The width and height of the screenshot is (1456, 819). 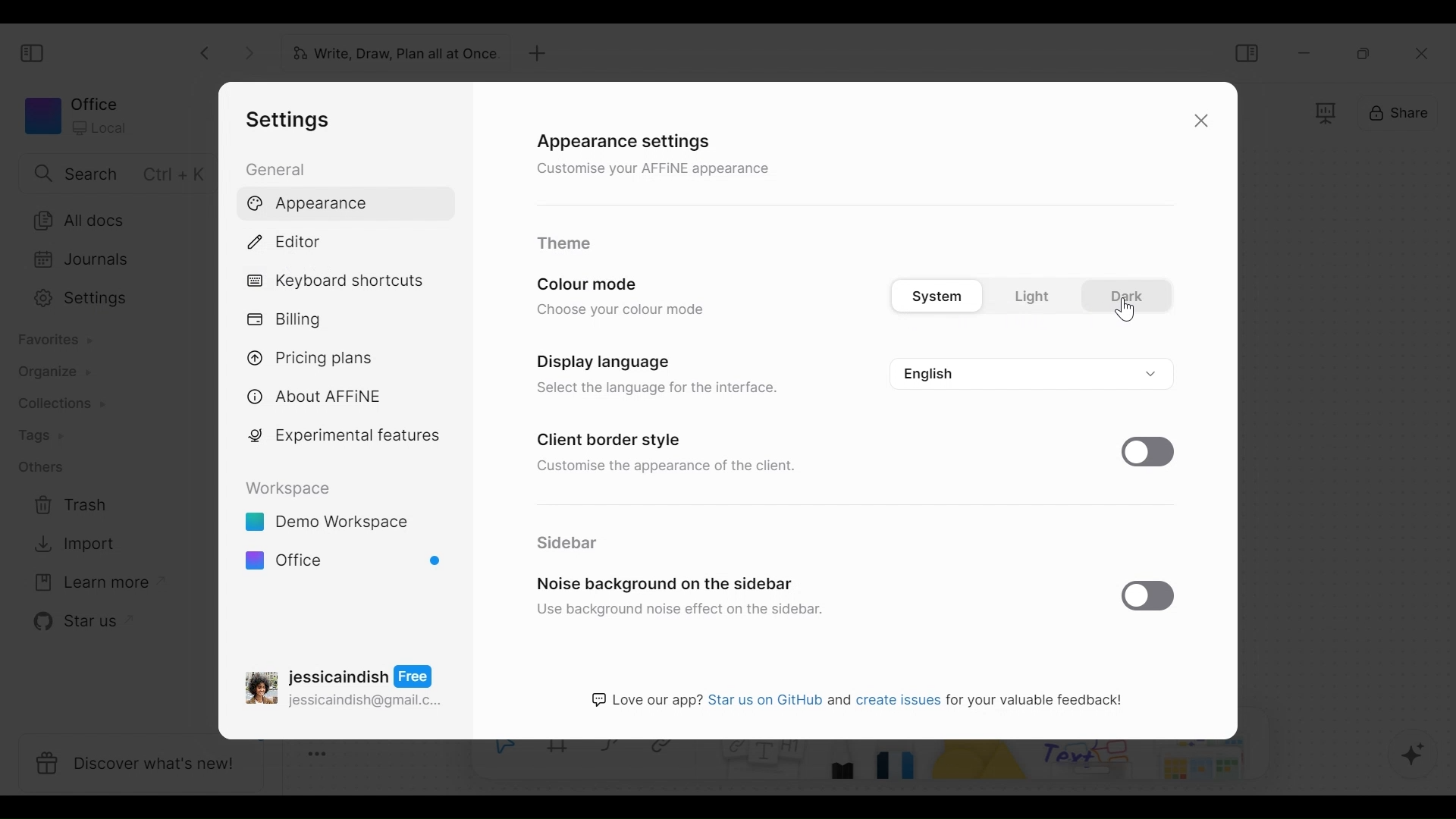 What do you see at coordinates (343, 527) in the screenshot?
I see `Workspace` at bounding box center [343, 527].